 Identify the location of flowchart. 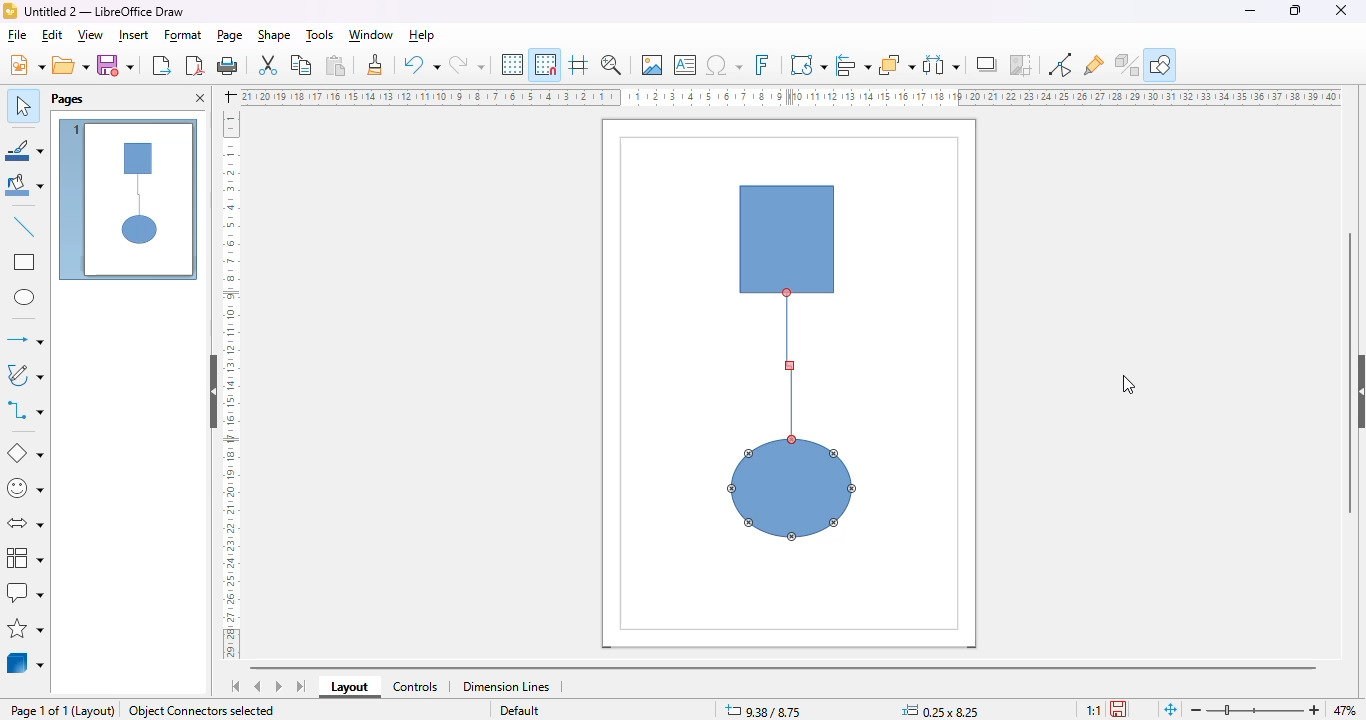
(25, 557).